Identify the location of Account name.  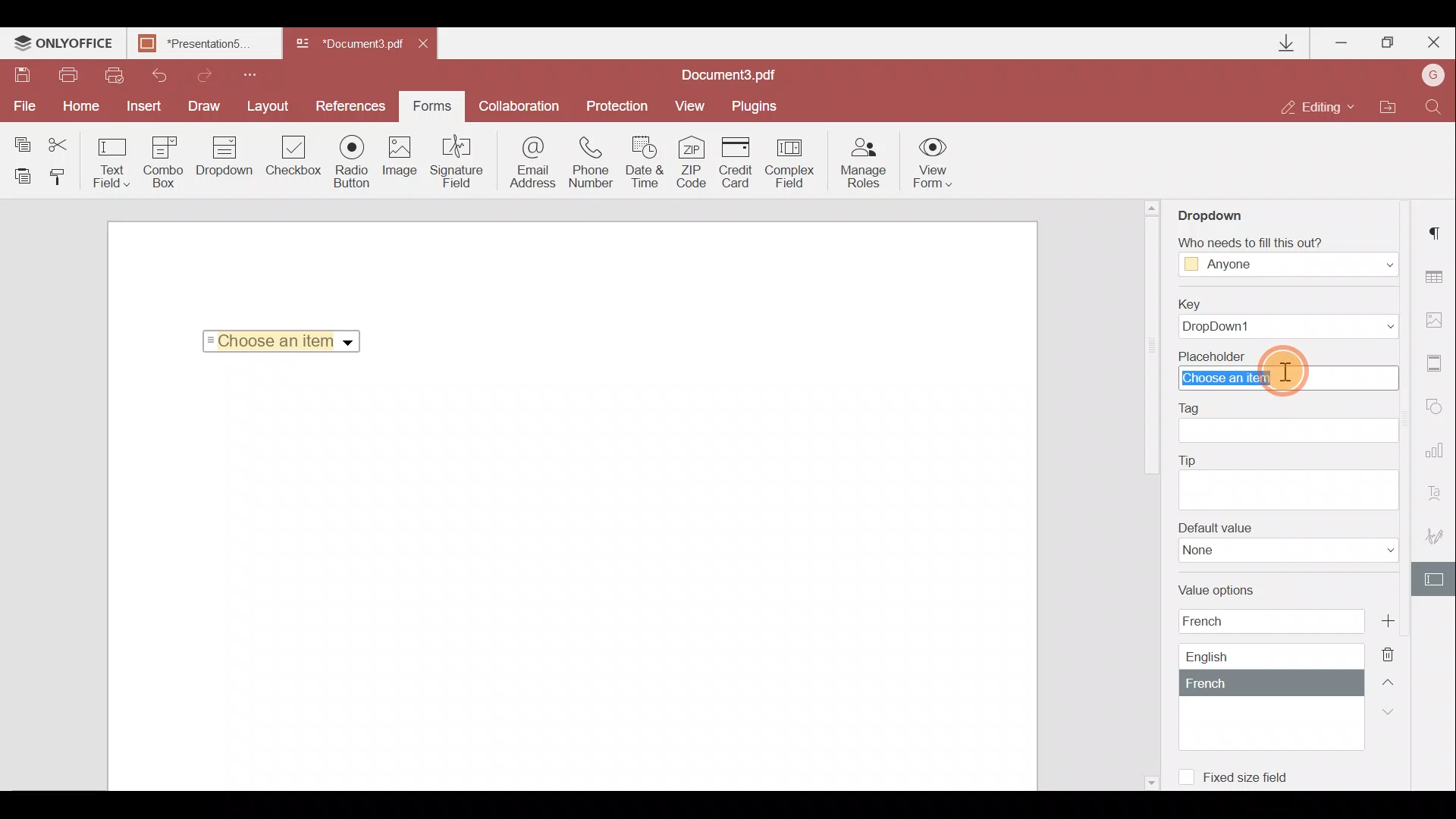
(1429, 77).